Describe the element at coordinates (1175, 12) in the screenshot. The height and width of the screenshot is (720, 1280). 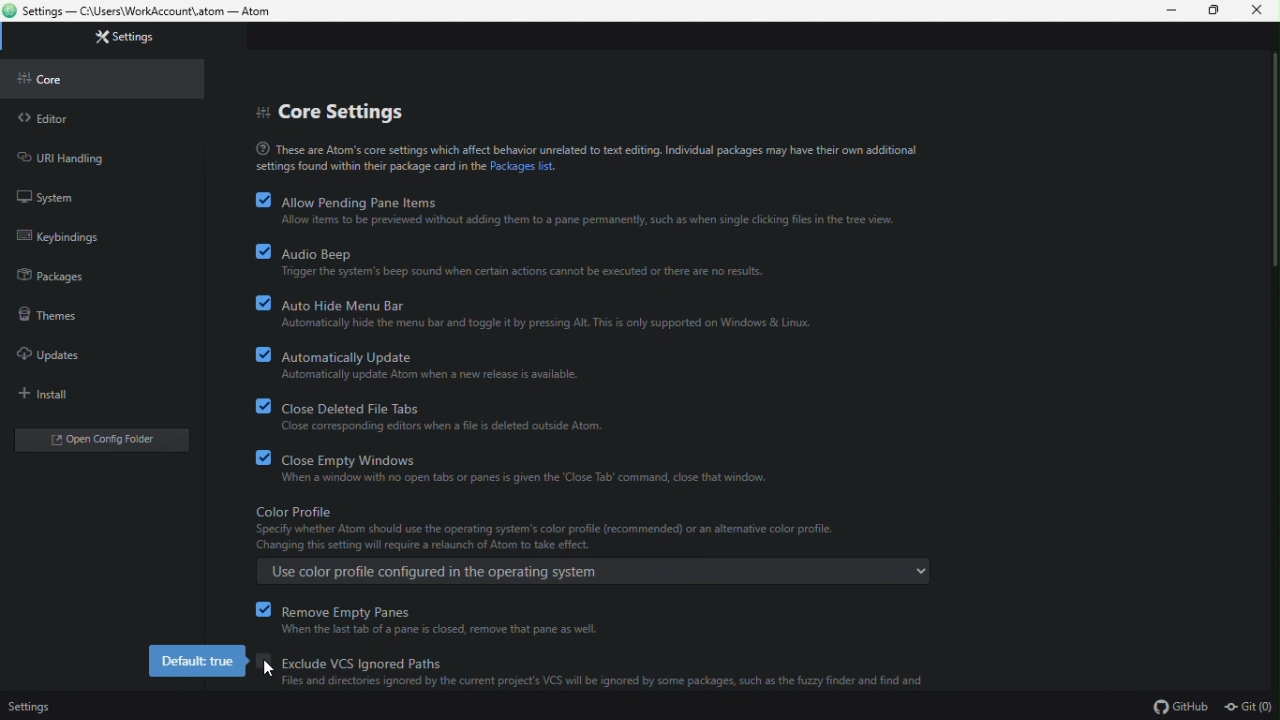
I see `Minimise` at that location.